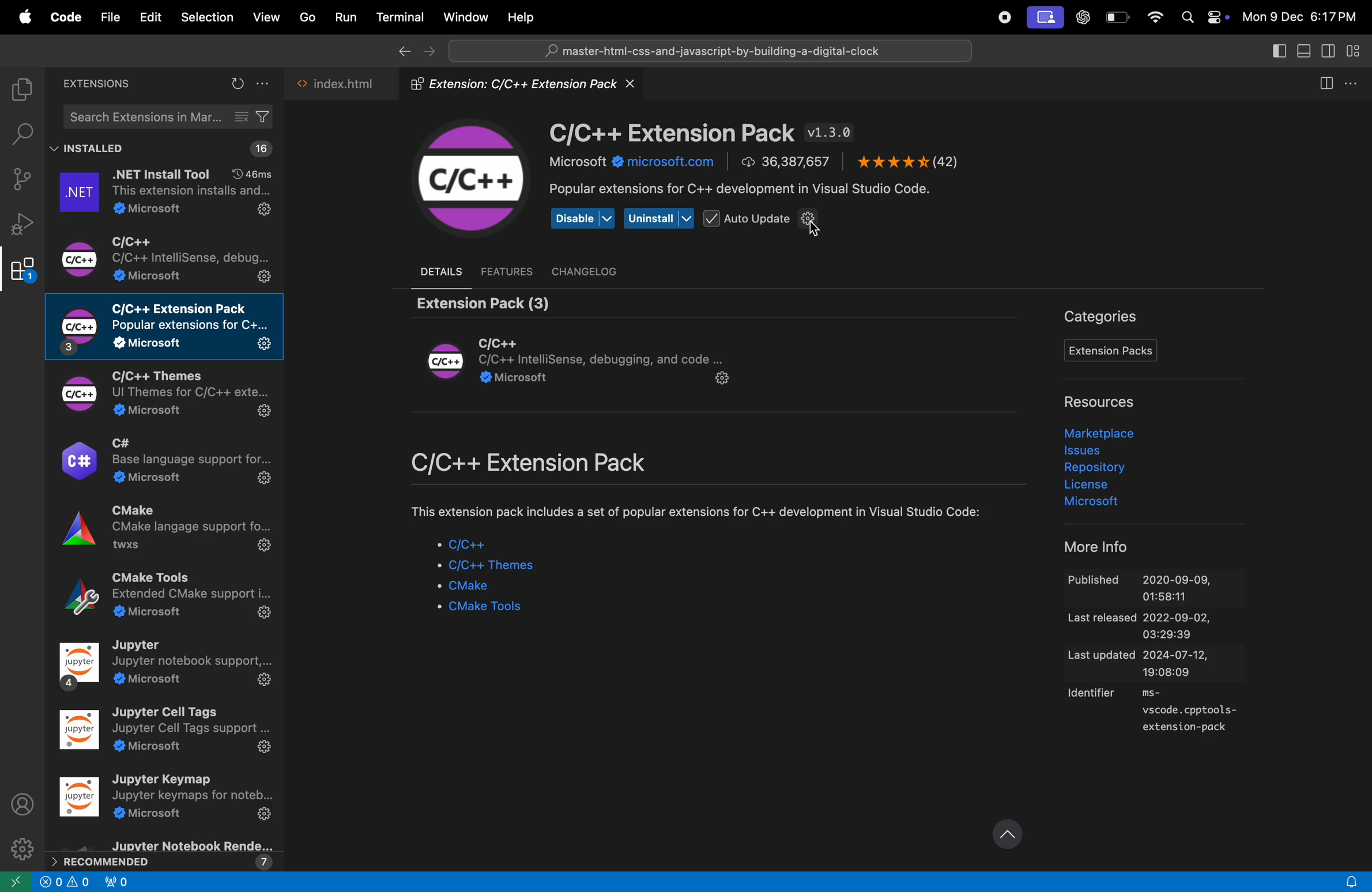 The image size is (1372, 892). What do you see at coordinates (1084, 18) in the screenshot?
I see `chatgpt` at bounding box center [1084, 18].